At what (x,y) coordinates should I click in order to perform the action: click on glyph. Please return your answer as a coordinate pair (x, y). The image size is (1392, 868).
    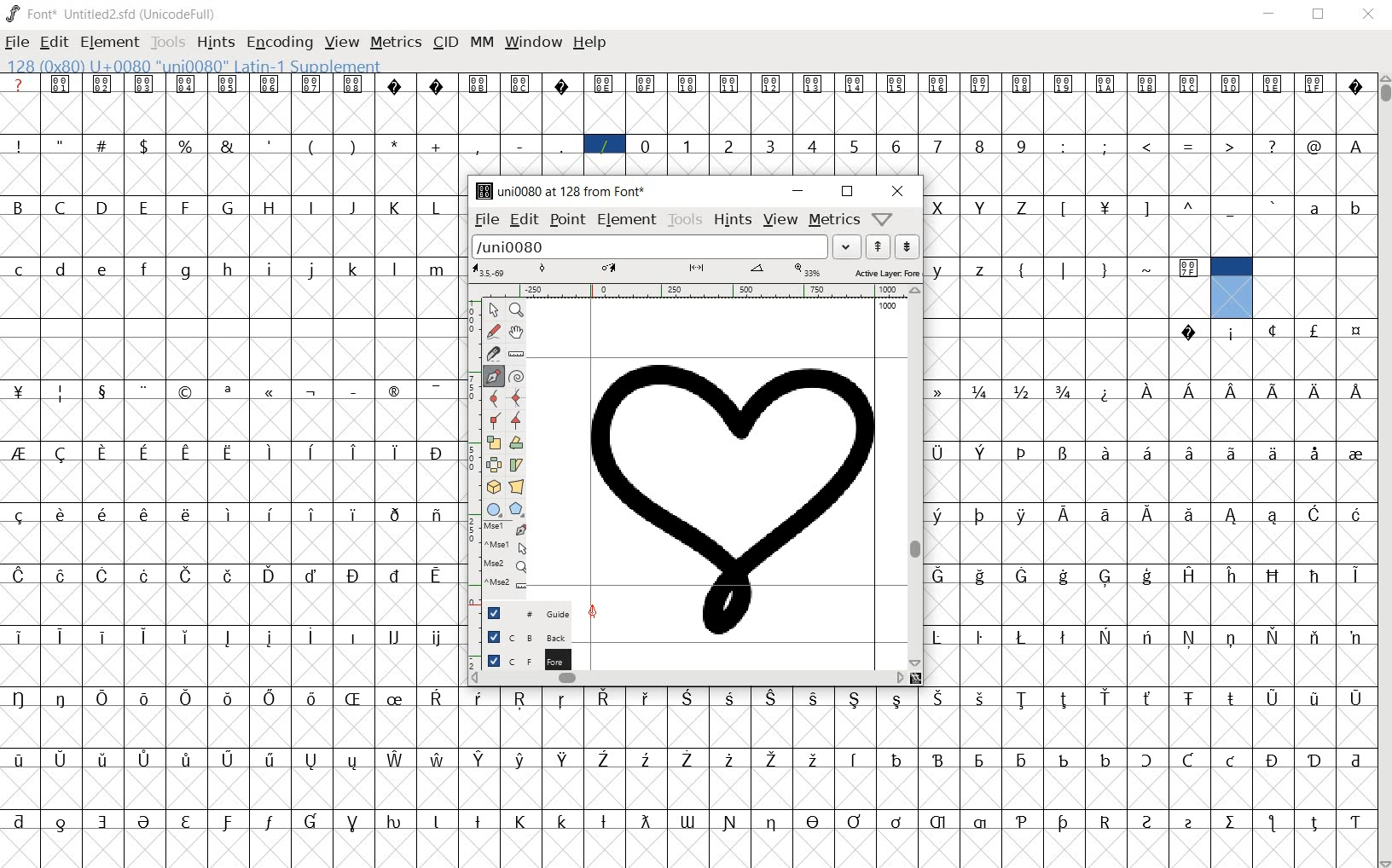
    Looking at the image, I should click on (145, 391).